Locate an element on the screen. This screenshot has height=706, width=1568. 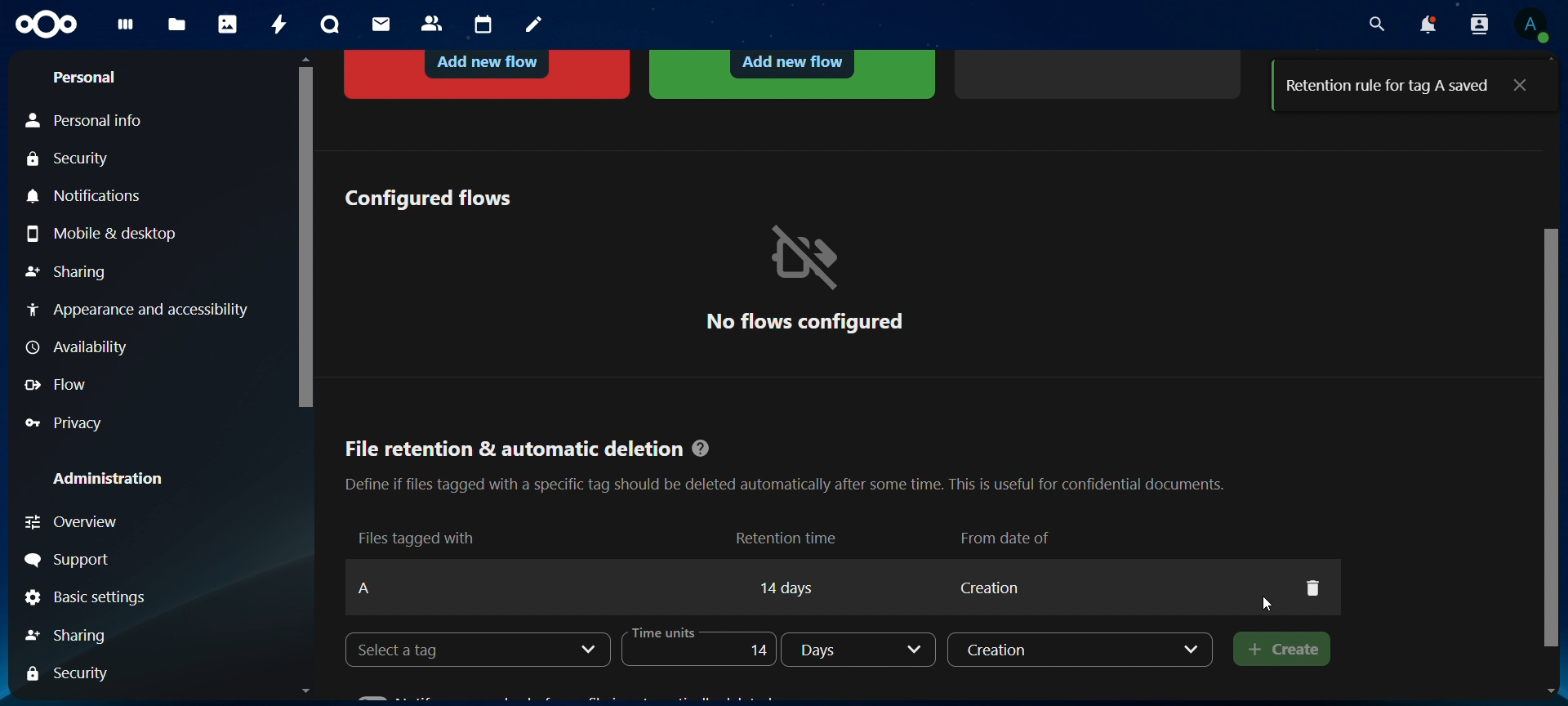
select a tag is located at coordinates (421, 650).